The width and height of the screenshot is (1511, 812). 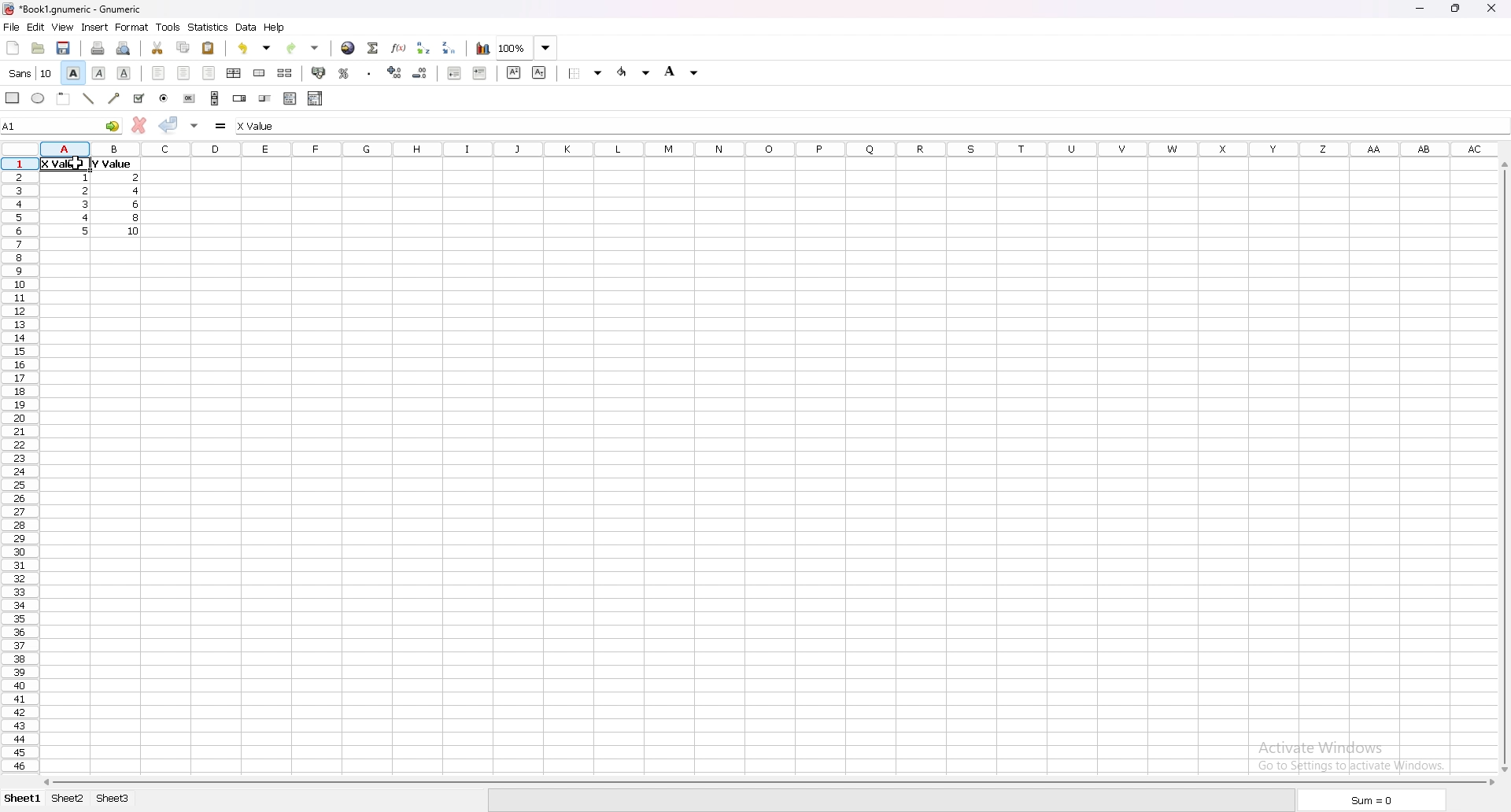 I want to click on value, so click(x=110, y=164).